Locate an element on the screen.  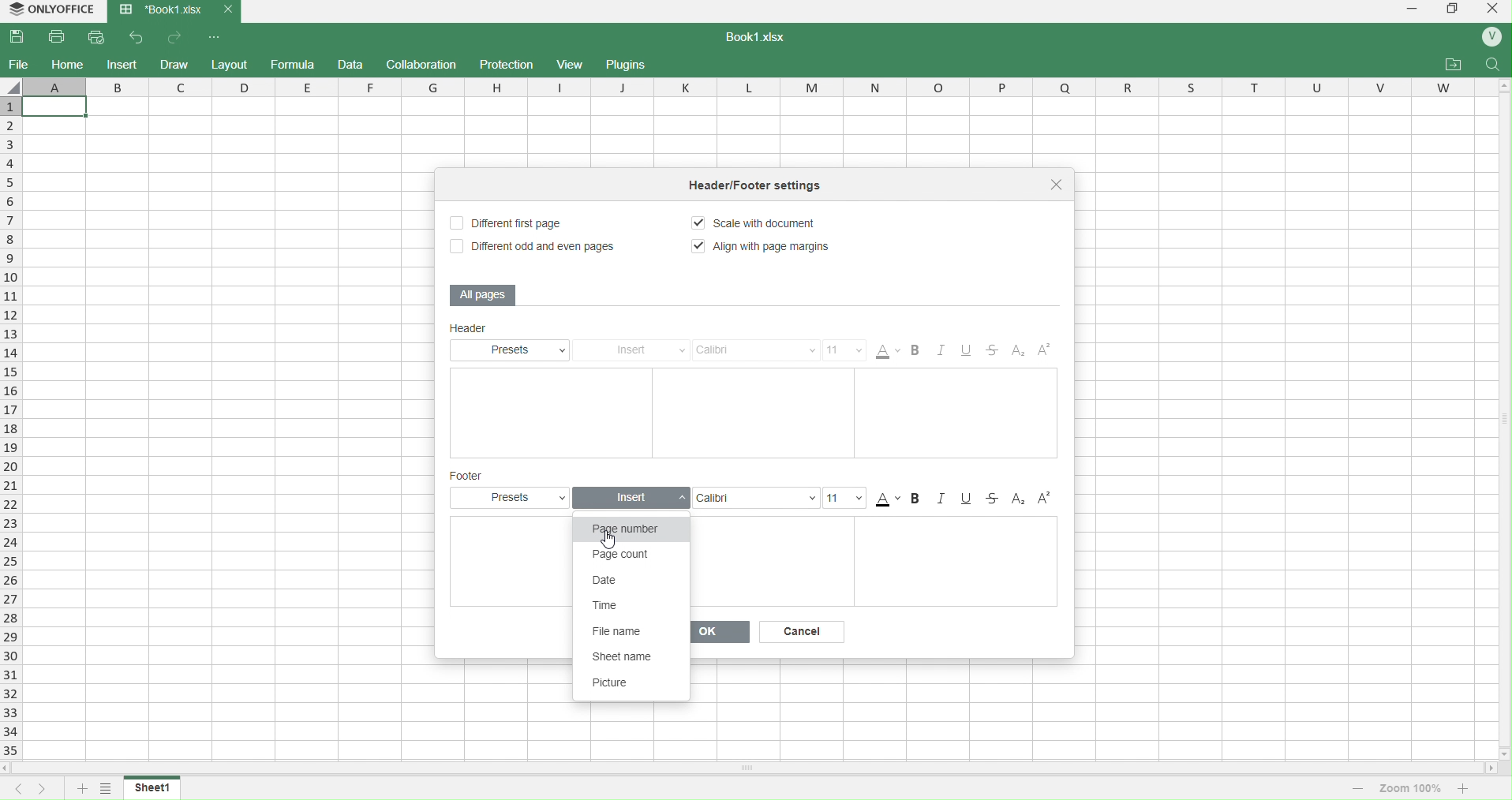
protection is located at coordinates (503, 64).